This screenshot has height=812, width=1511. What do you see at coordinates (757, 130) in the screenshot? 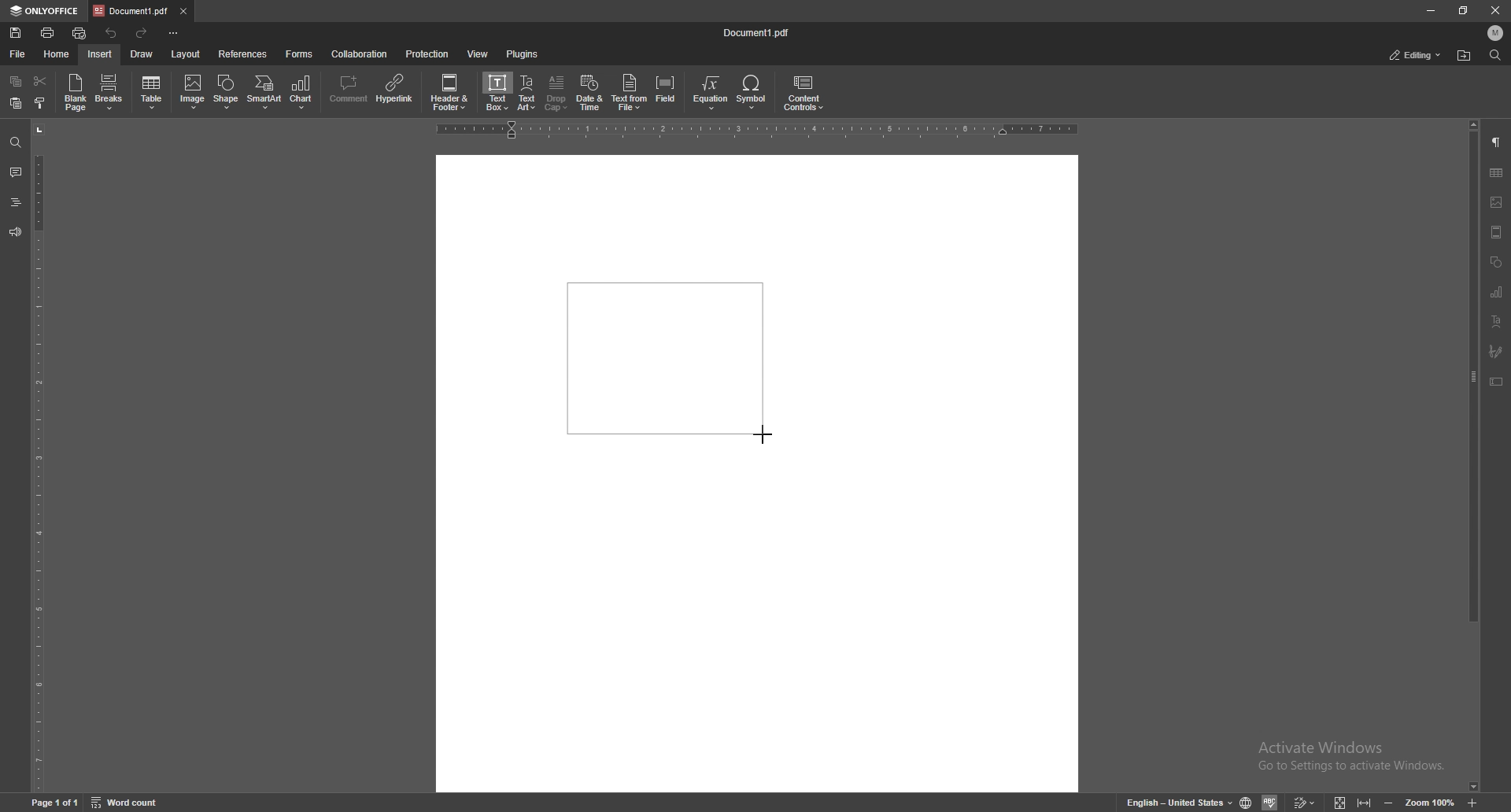
I see `horizontal scale` at bounding box center [757, 130].